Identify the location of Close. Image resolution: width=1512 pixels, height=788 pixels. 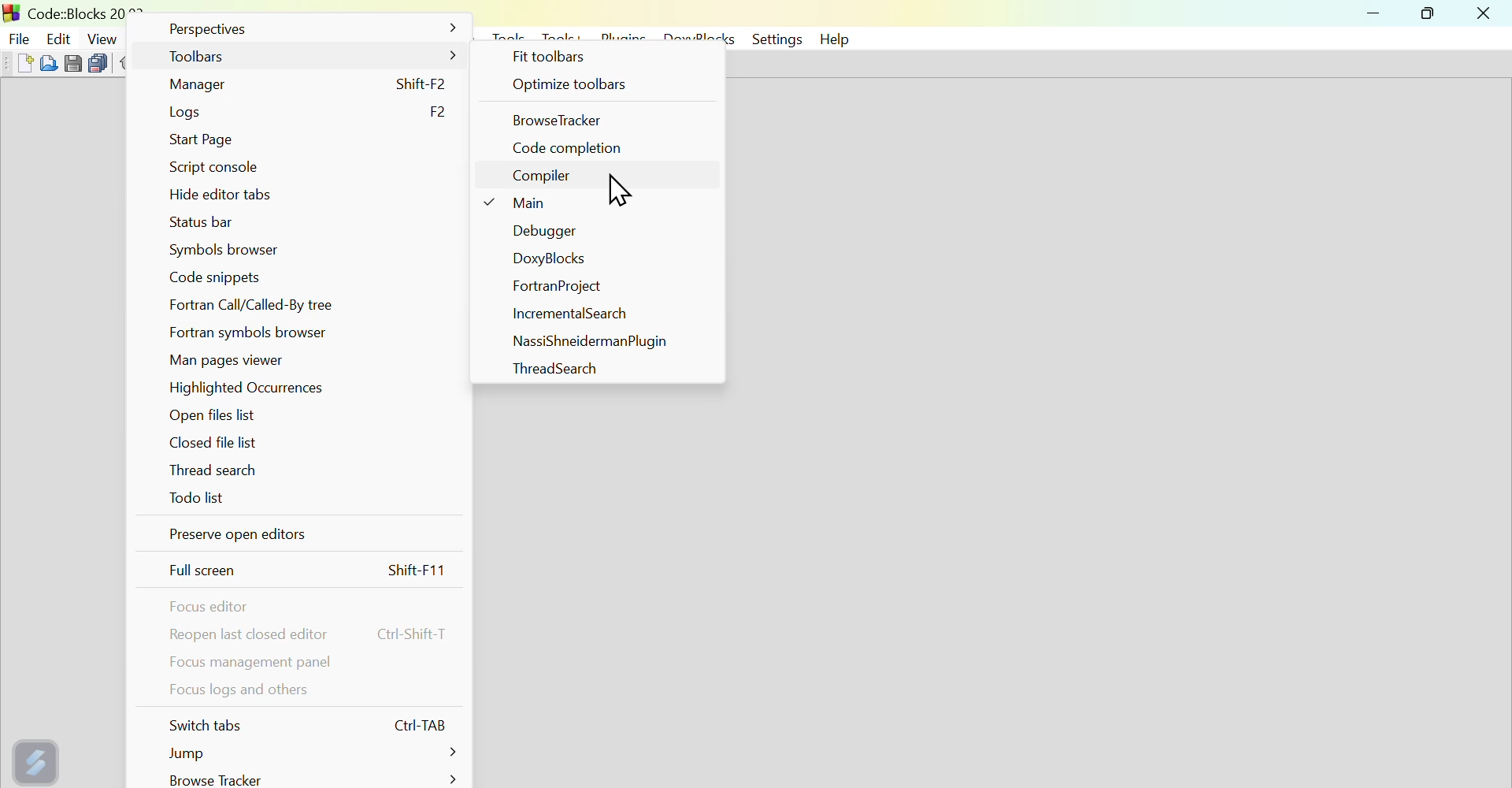
(1484, 14).